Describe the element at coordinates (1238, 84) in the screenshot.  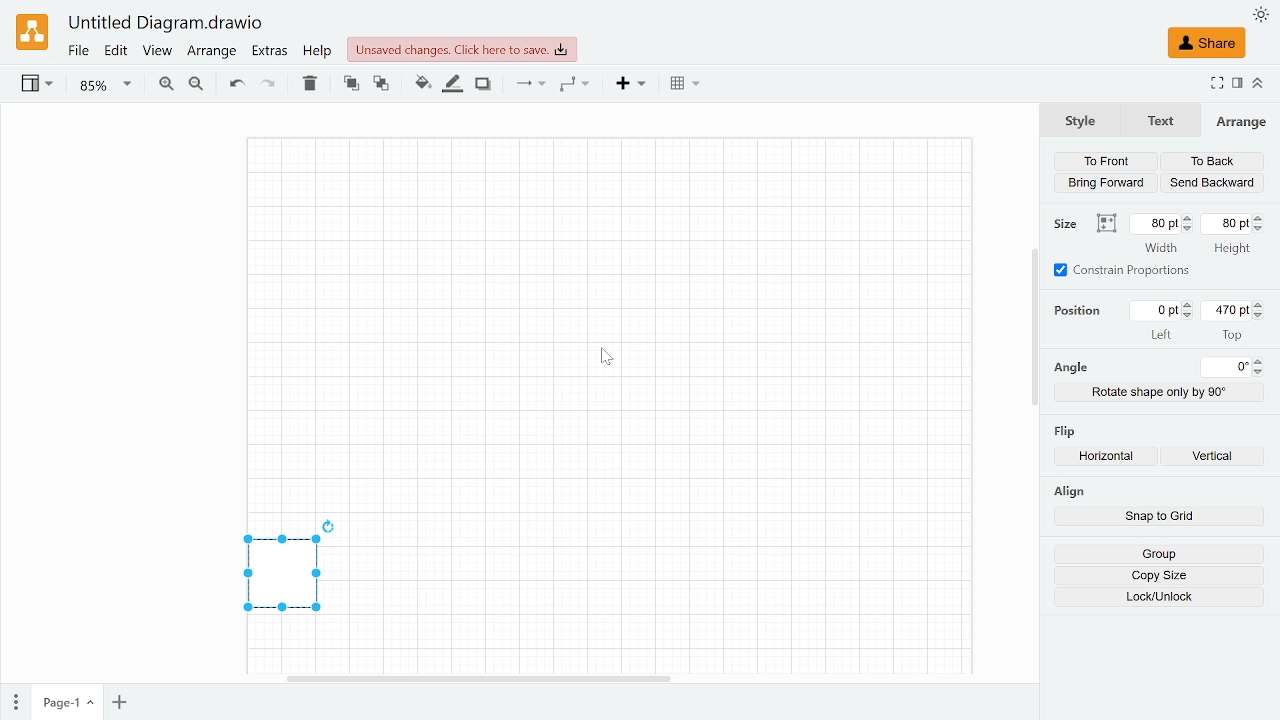
I see `Format` at that location.